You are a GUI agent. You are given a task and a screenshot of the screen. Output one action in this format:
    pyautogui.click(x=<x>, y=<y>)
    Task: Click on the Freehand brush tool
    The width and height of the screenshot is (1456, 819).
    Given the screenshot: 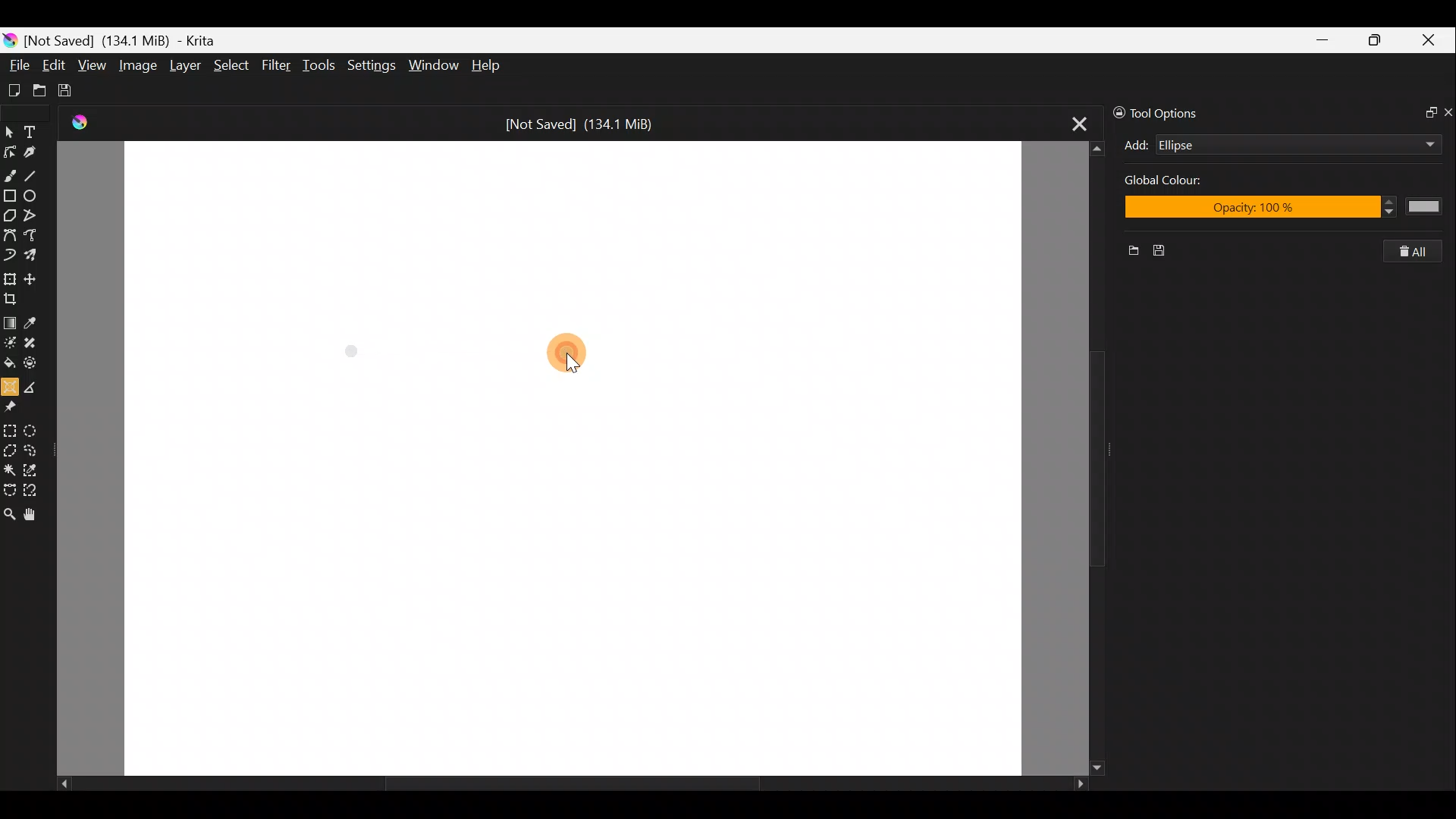 What is the action you would take?
    pyautogui.click(x=11, y=174)
    